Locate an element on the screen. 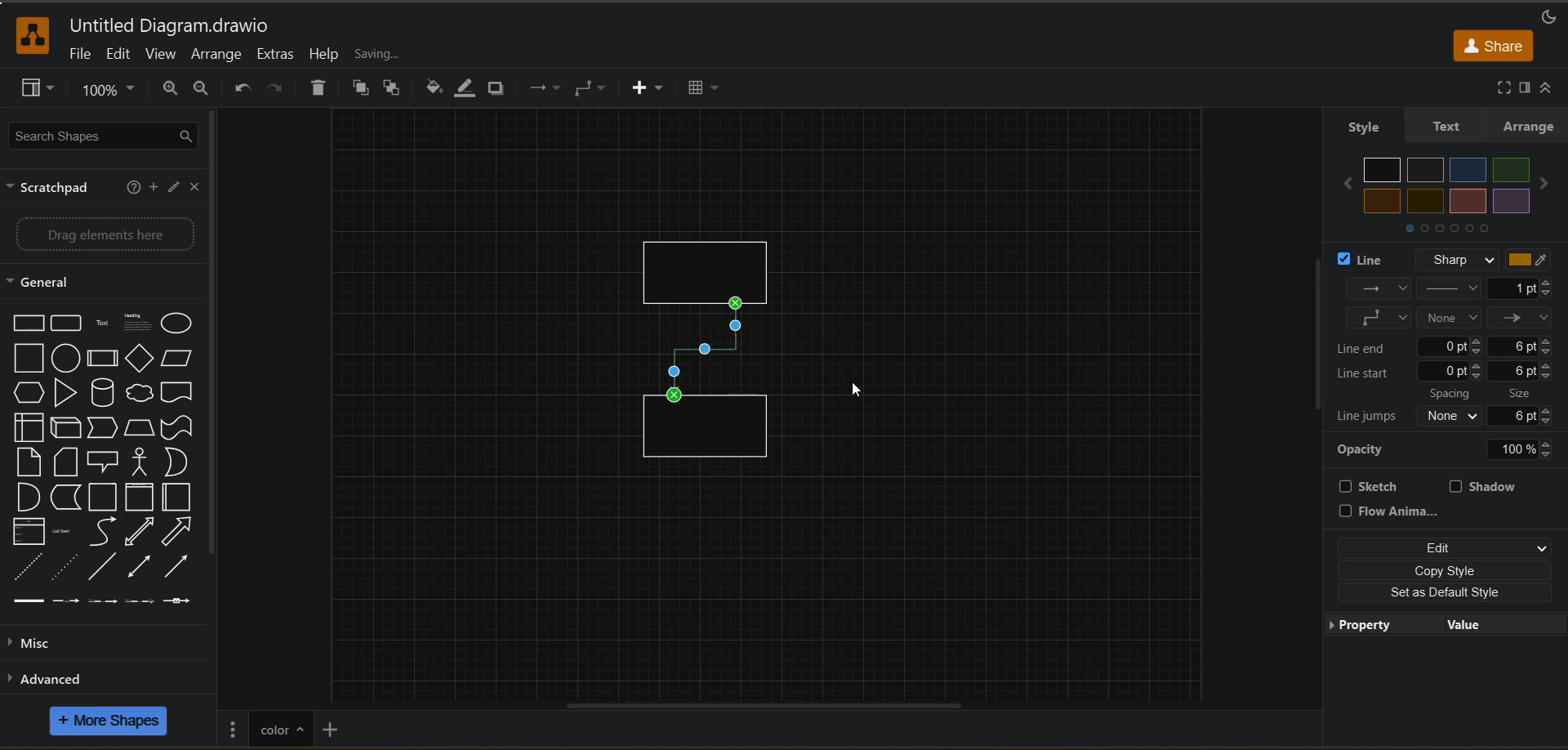 Image resolution: width=1568 pixels, height=750 pixels. Diamond is located at coordinates (140, 359).